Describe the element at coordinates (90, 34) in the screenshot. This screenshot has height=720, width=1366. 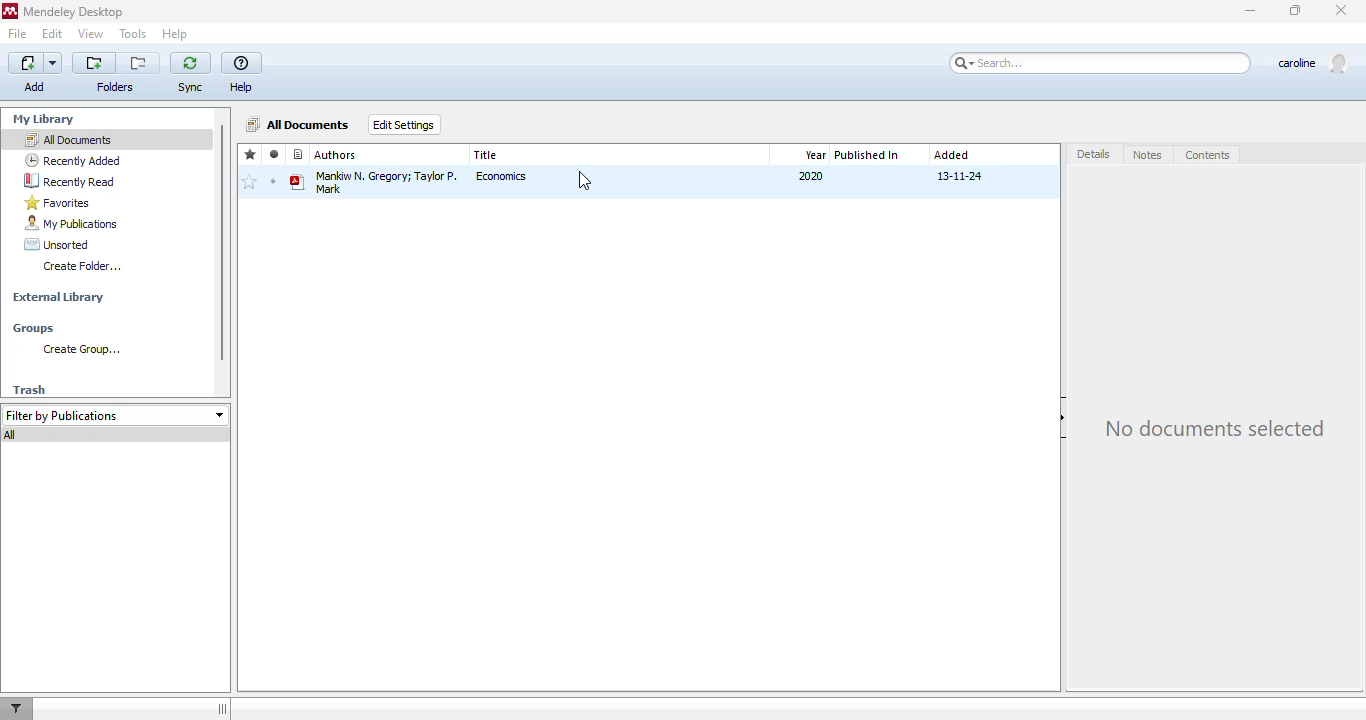
I see `view` at that location.